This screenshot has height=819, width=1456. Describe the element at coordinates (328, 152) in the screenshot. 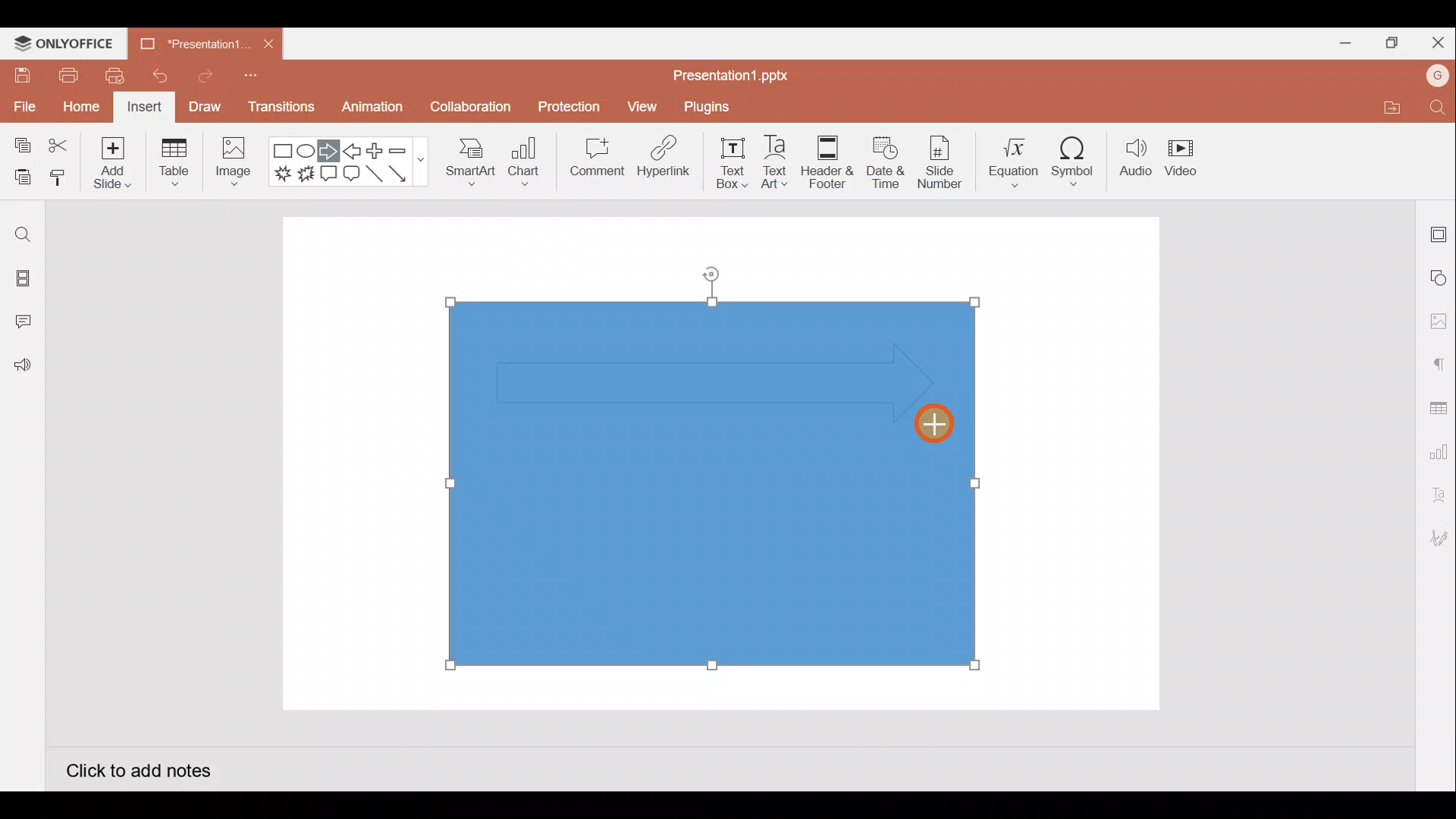

I see `Right arrow` at that location.